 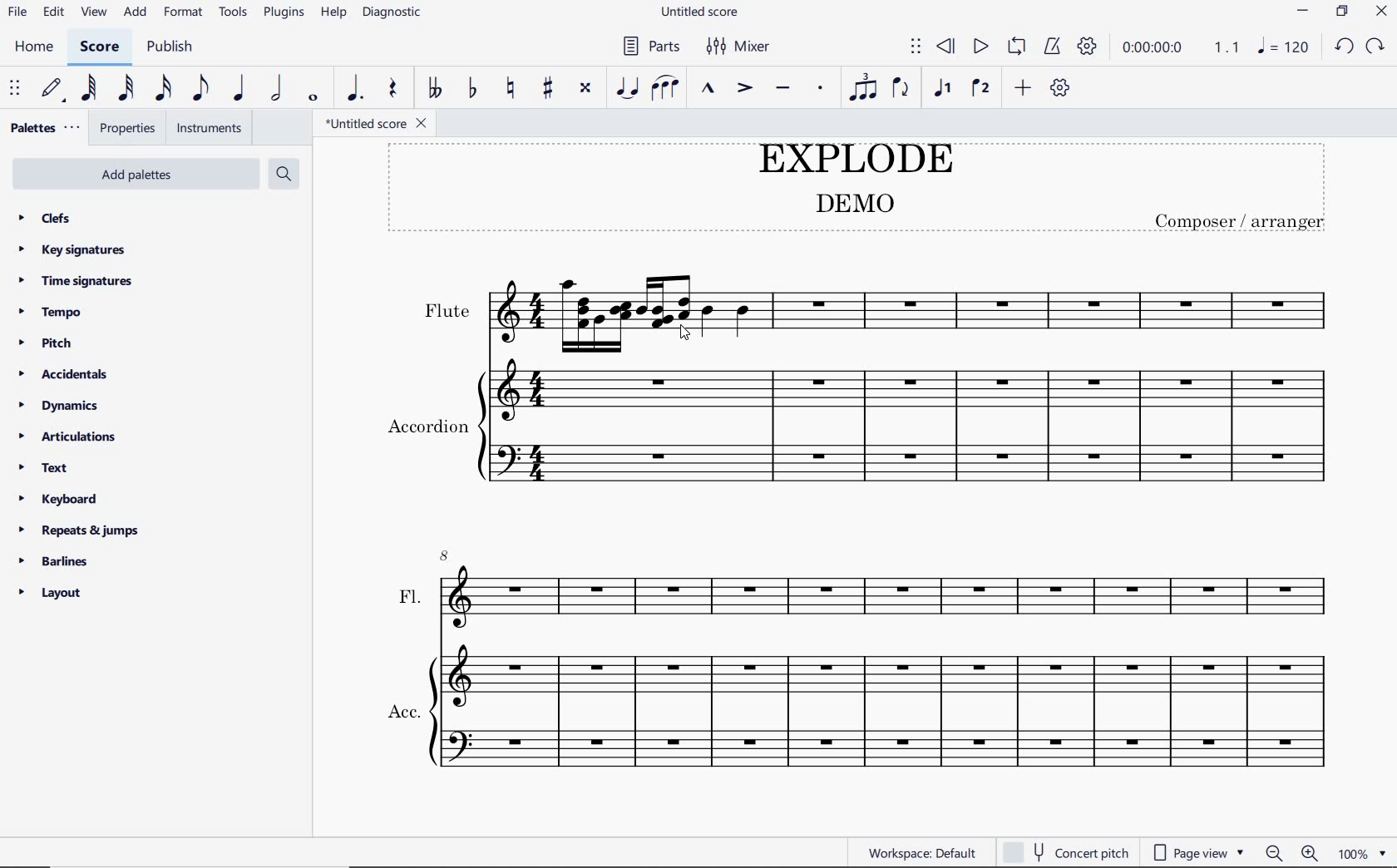 What do you see at coordinates (16, 12) in the screenshot?
I see `file` at bounding box center [16, 12].